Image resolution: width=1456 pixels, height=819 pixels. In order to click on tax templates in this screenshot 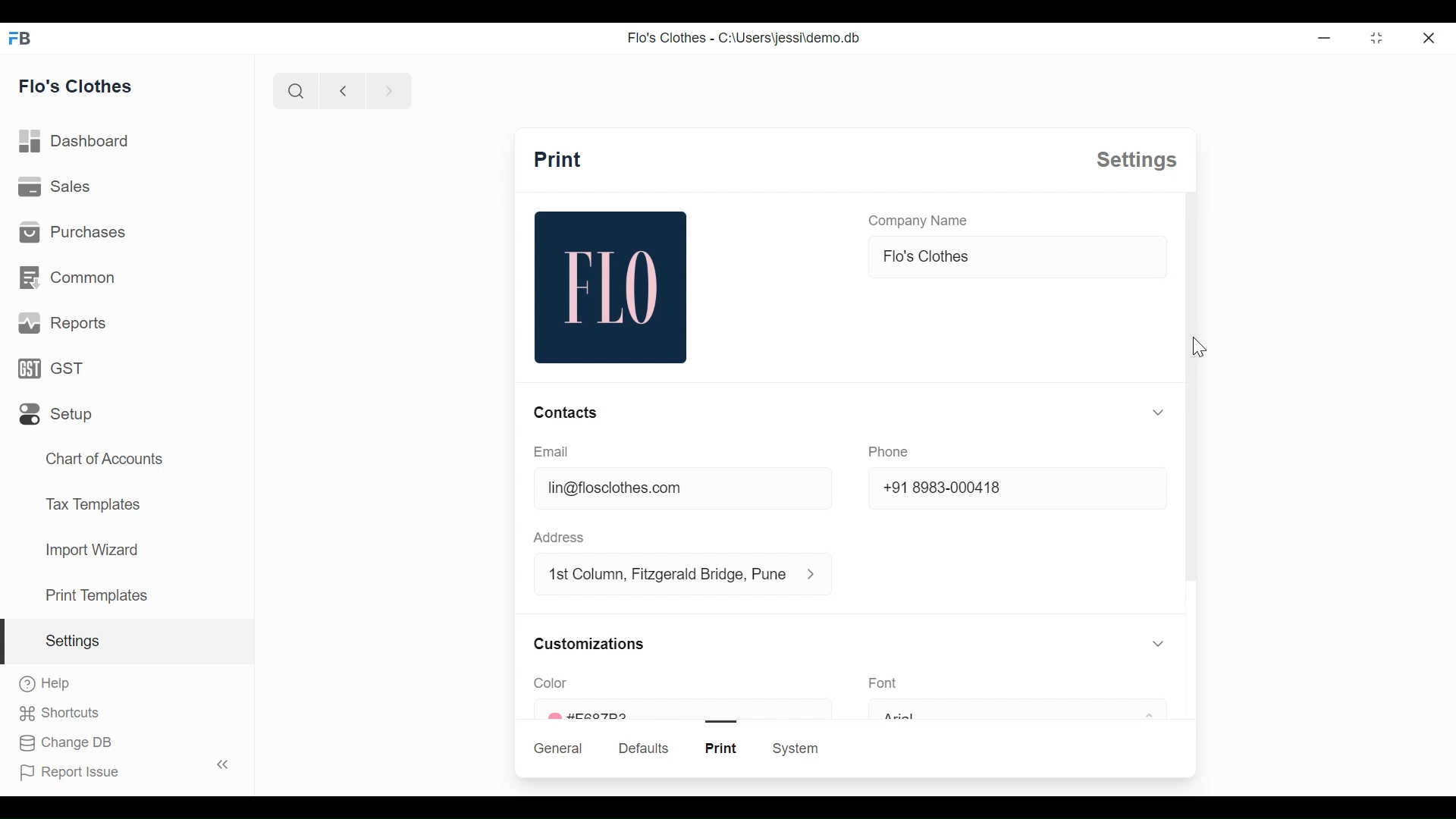, I will do `click(90, 503)`.